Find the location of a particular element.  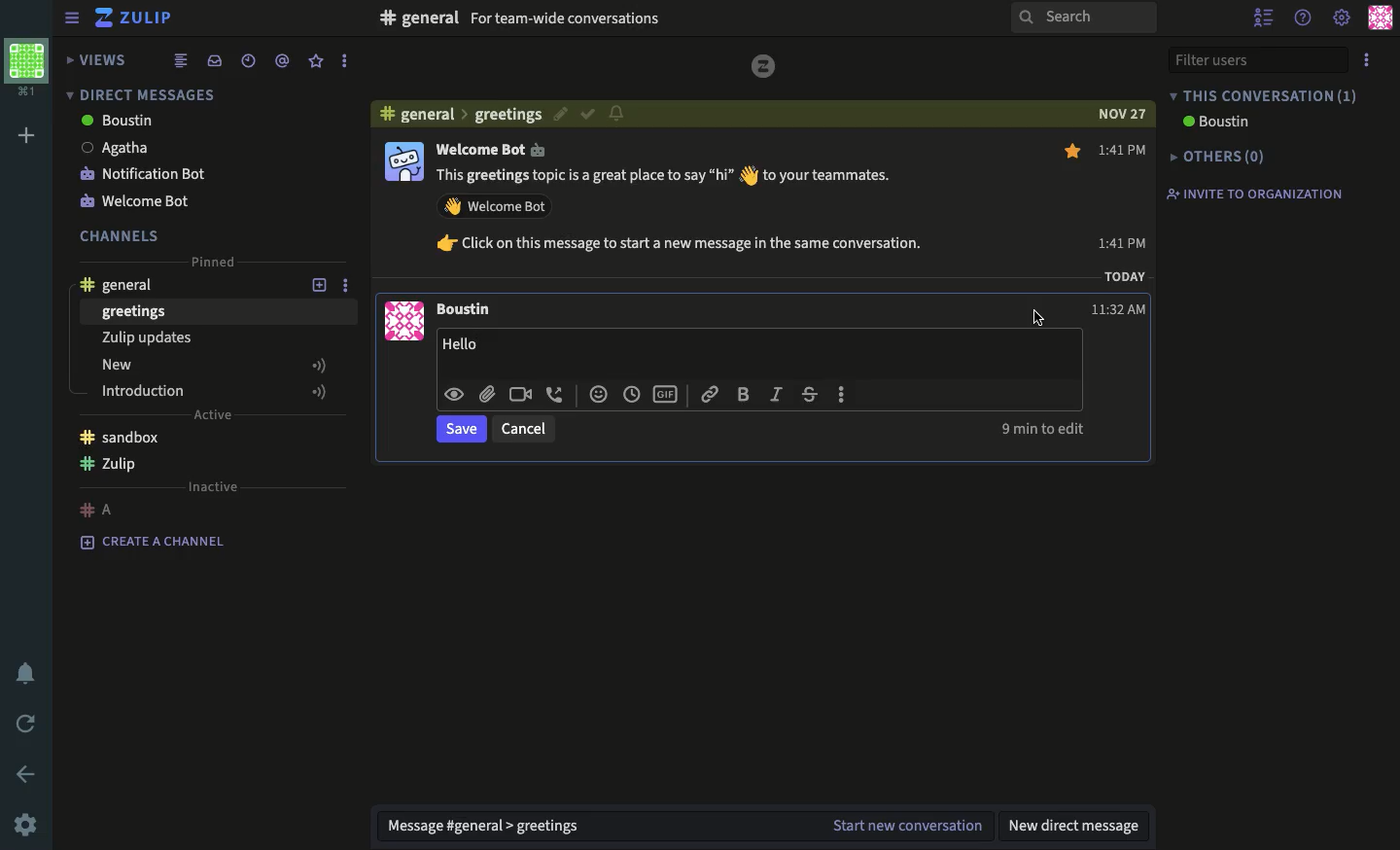

edit is located at coordinates (557, 114).